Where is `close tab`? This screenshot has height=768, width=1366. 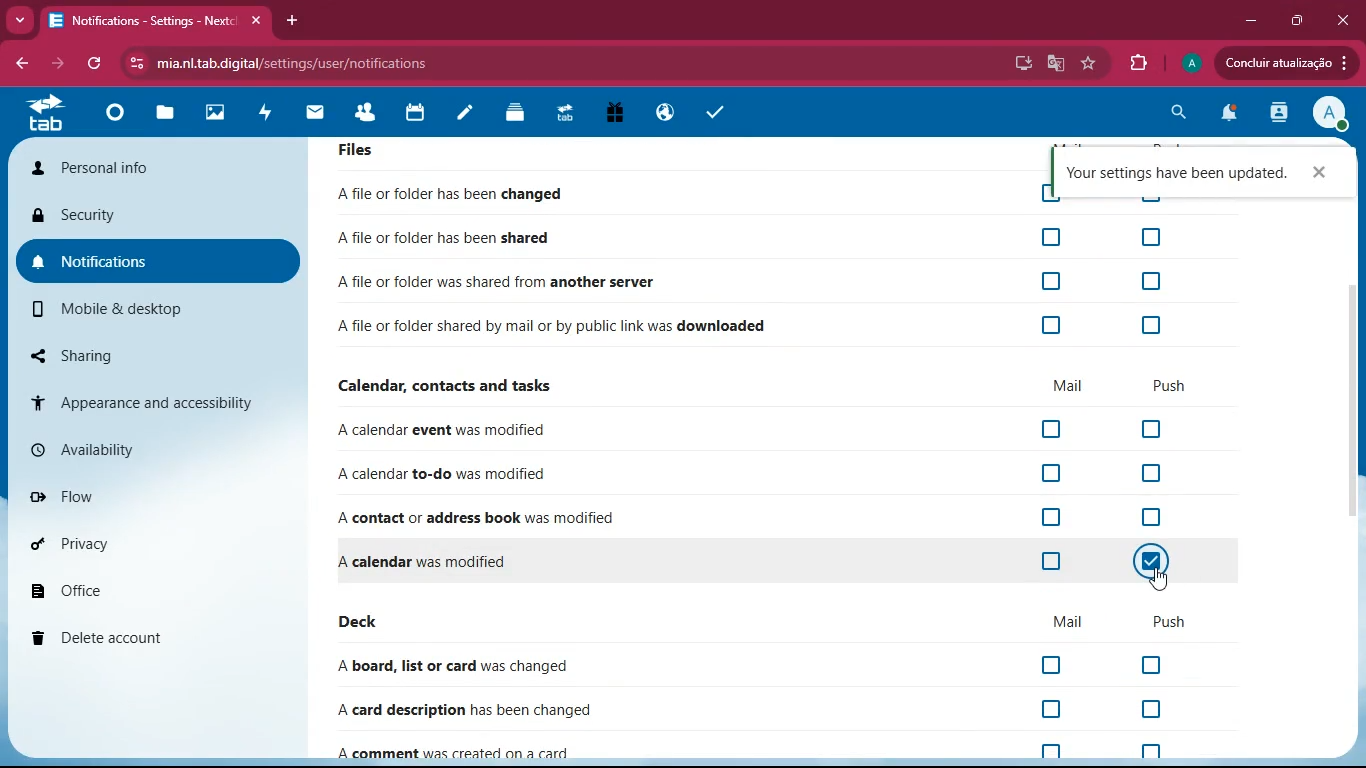 close tab is located at coordinates (257, 20).